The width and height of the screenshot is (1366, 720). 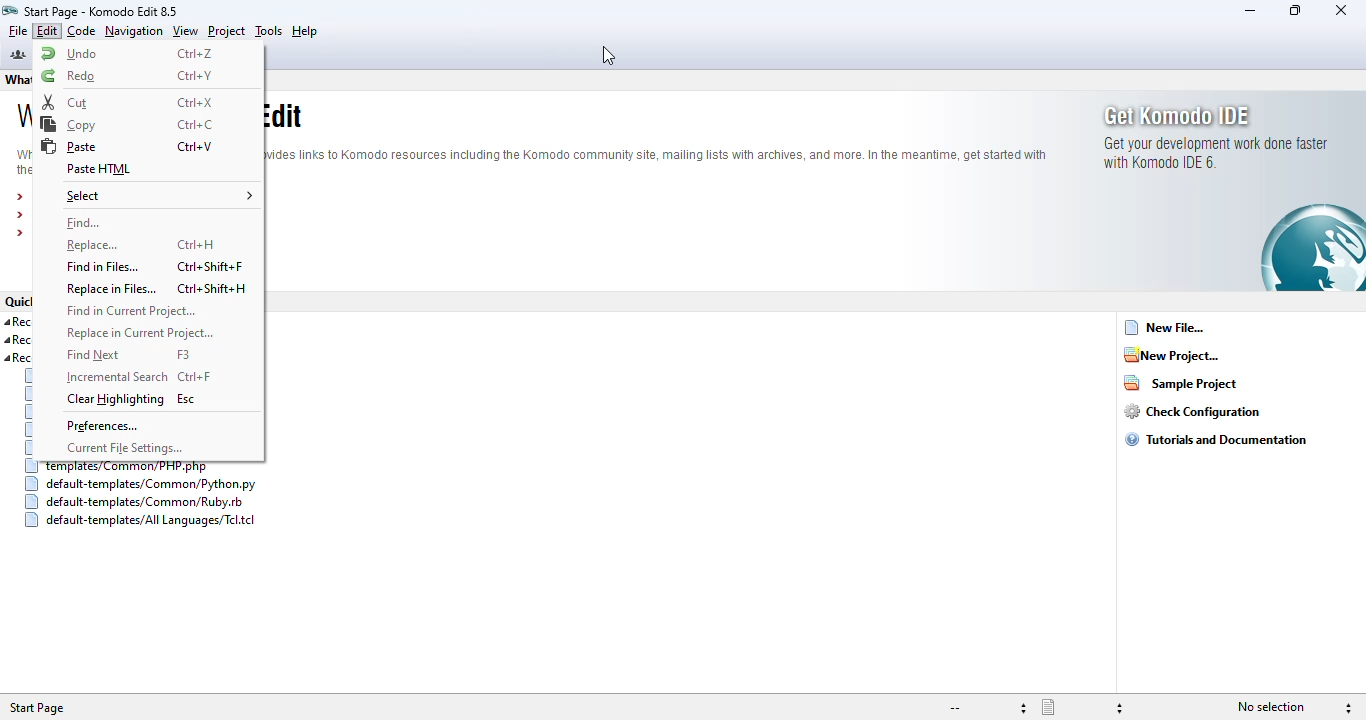 What do you see at coordinates (132, 311) in the screenshot?
I see `find in current project` at bounding box center [132, 311].